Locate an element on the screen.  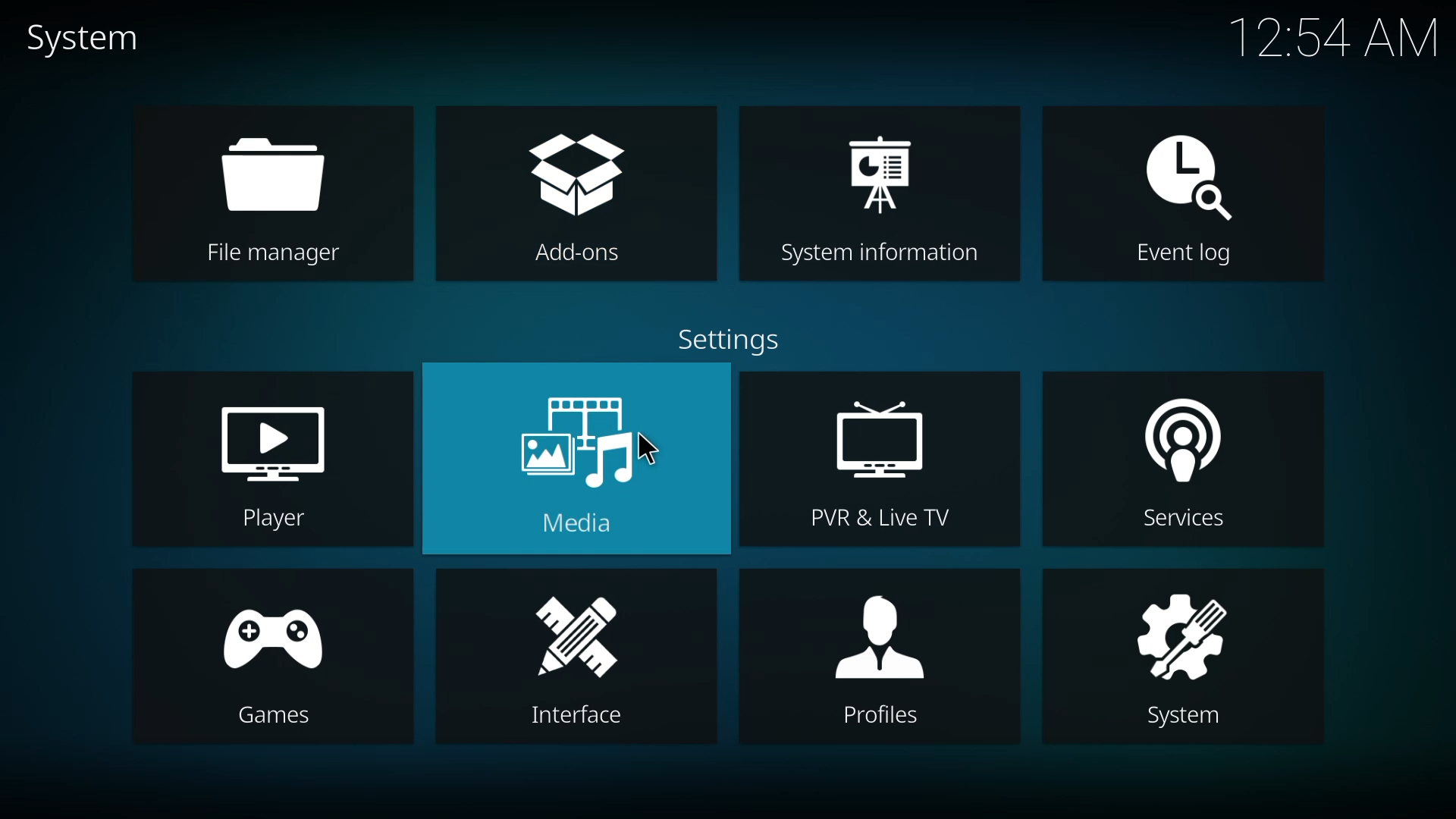
cursor is located at coordinates (649, 450).